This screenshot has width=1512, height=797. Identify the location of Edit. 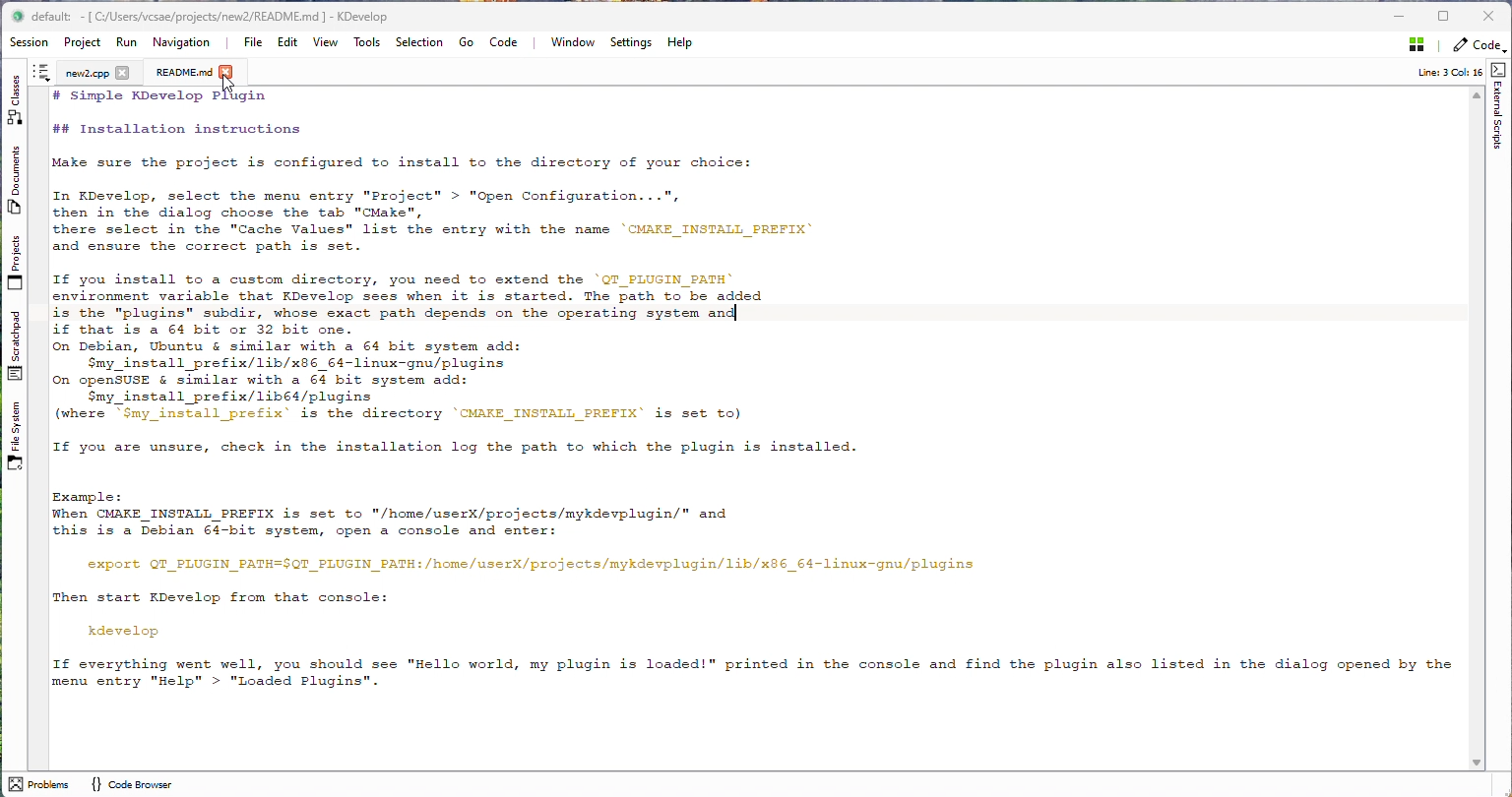
(288, 44).